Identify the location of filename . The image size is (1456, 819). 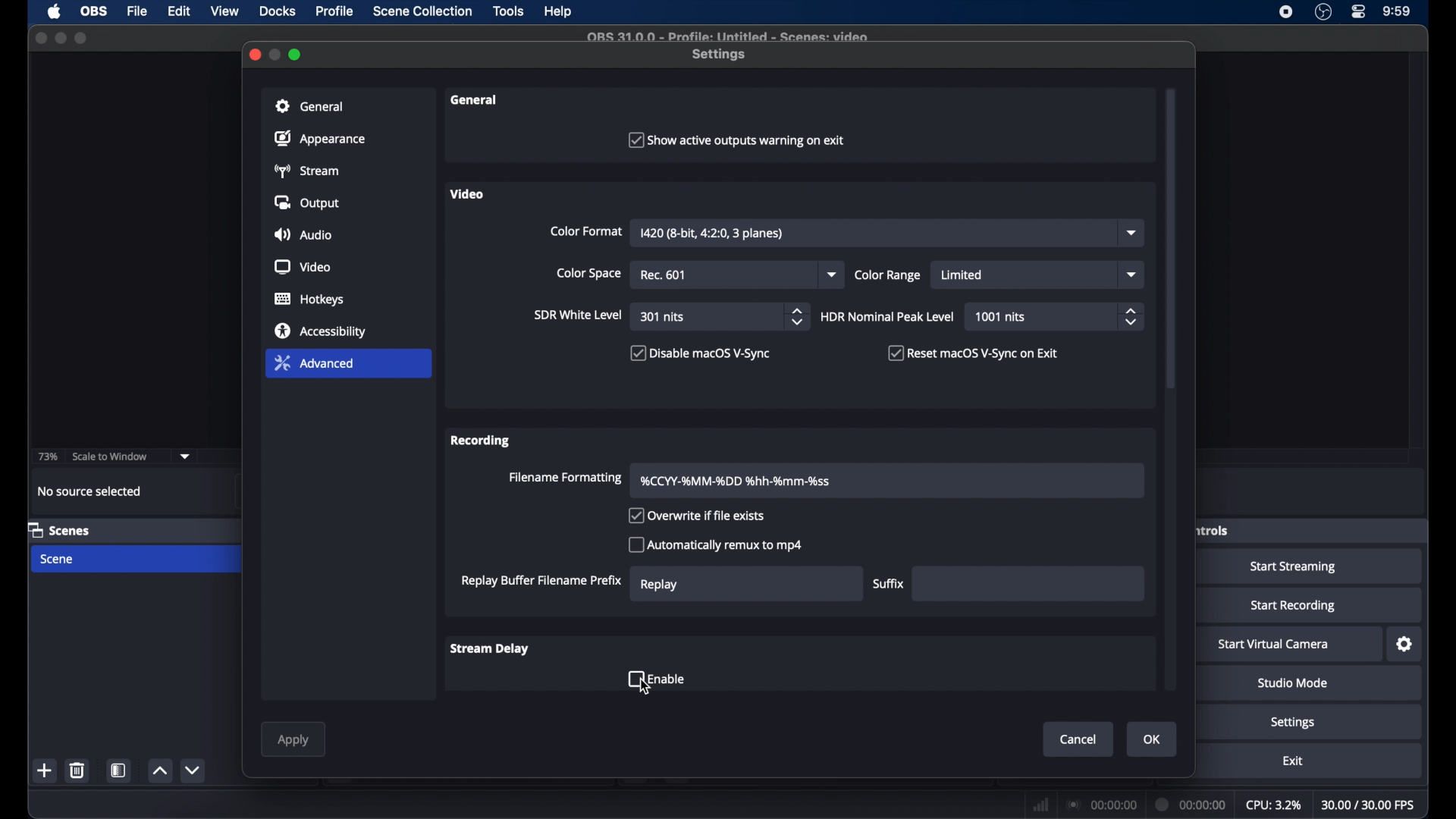
(736, 482).